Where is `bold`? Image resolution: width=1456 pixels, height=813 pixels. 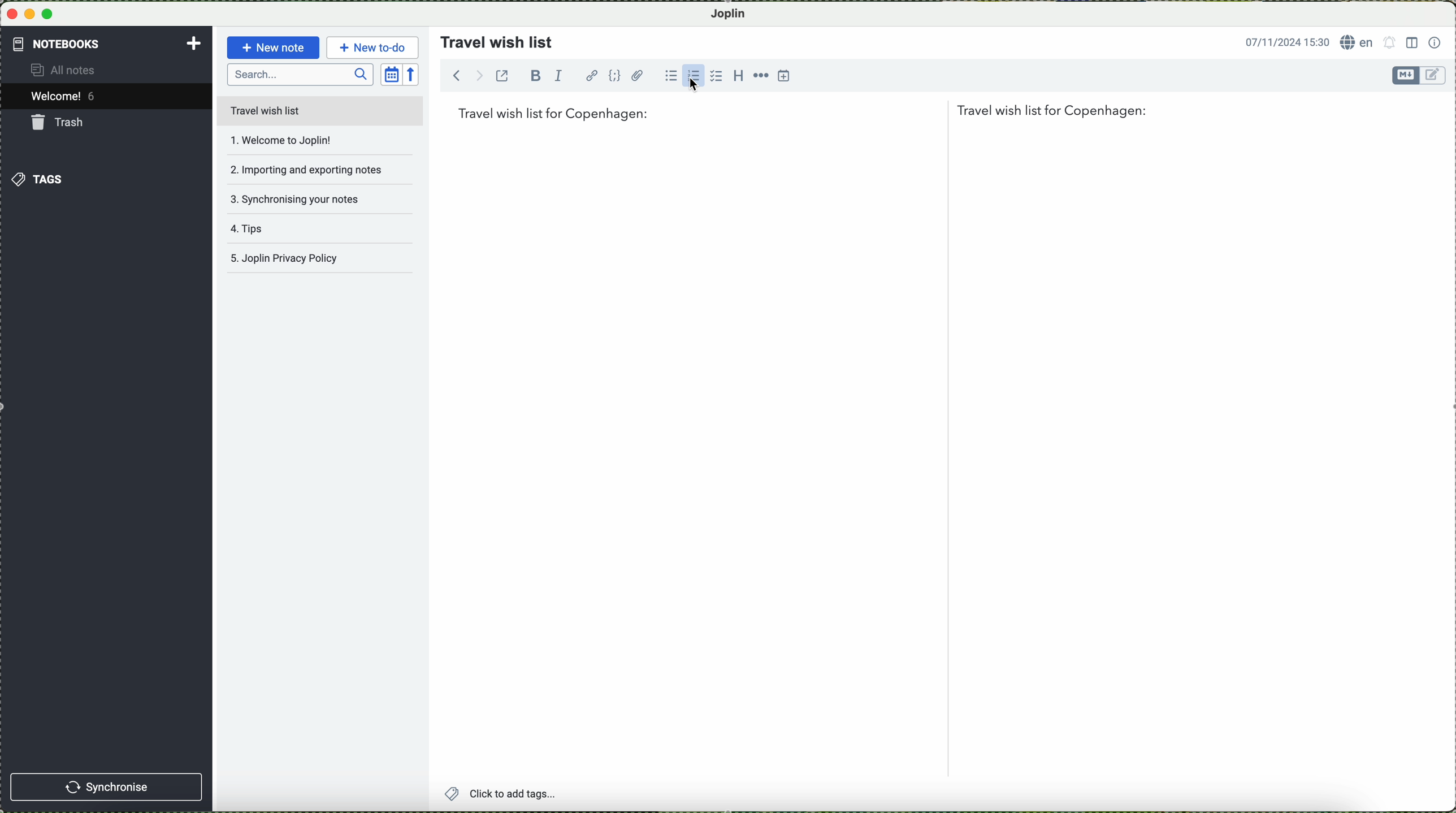 bold is located at coordinates (536, 75).